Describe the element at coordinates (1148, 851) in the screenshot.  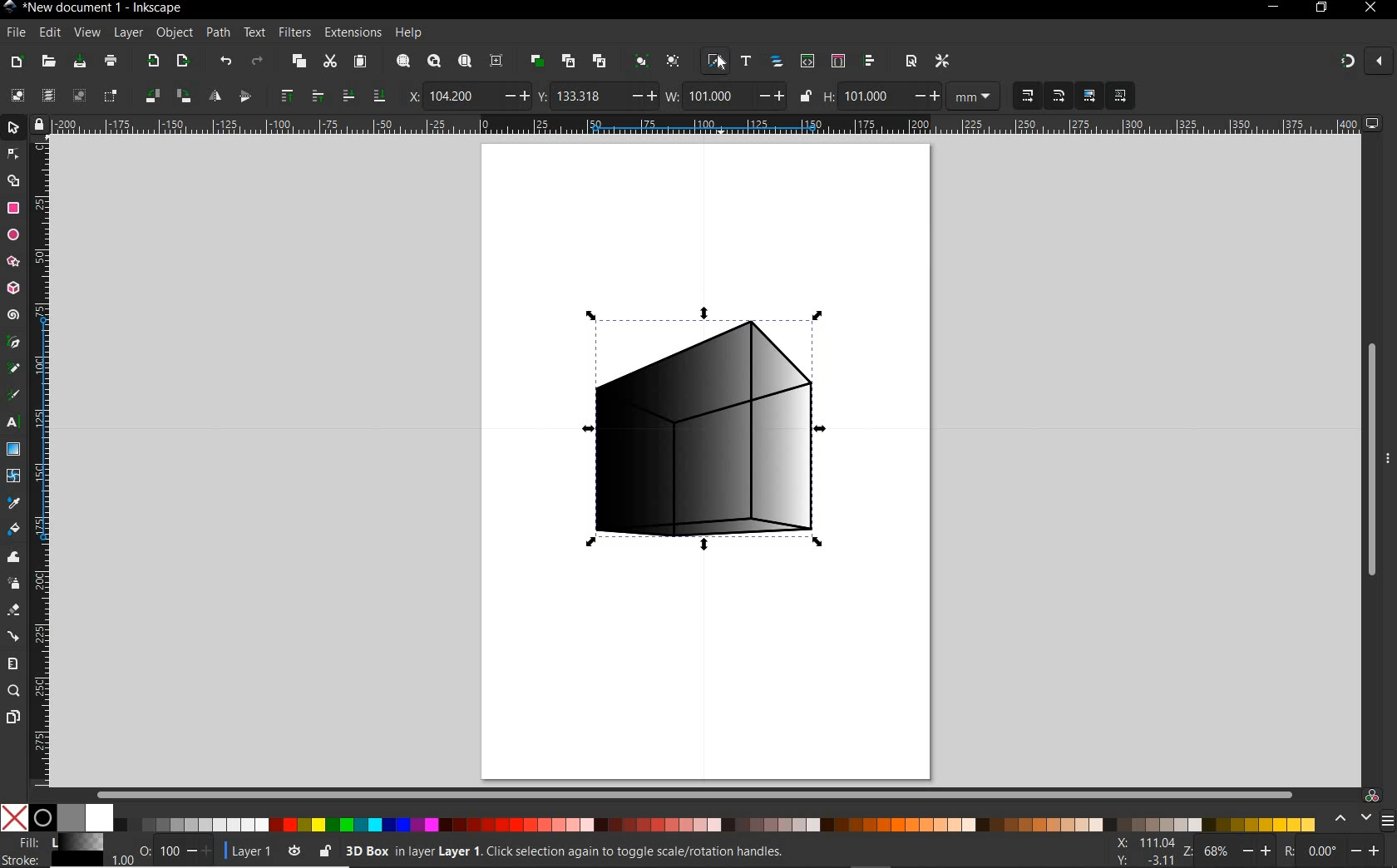
I see `CURSOR COORDINATES` at that location.